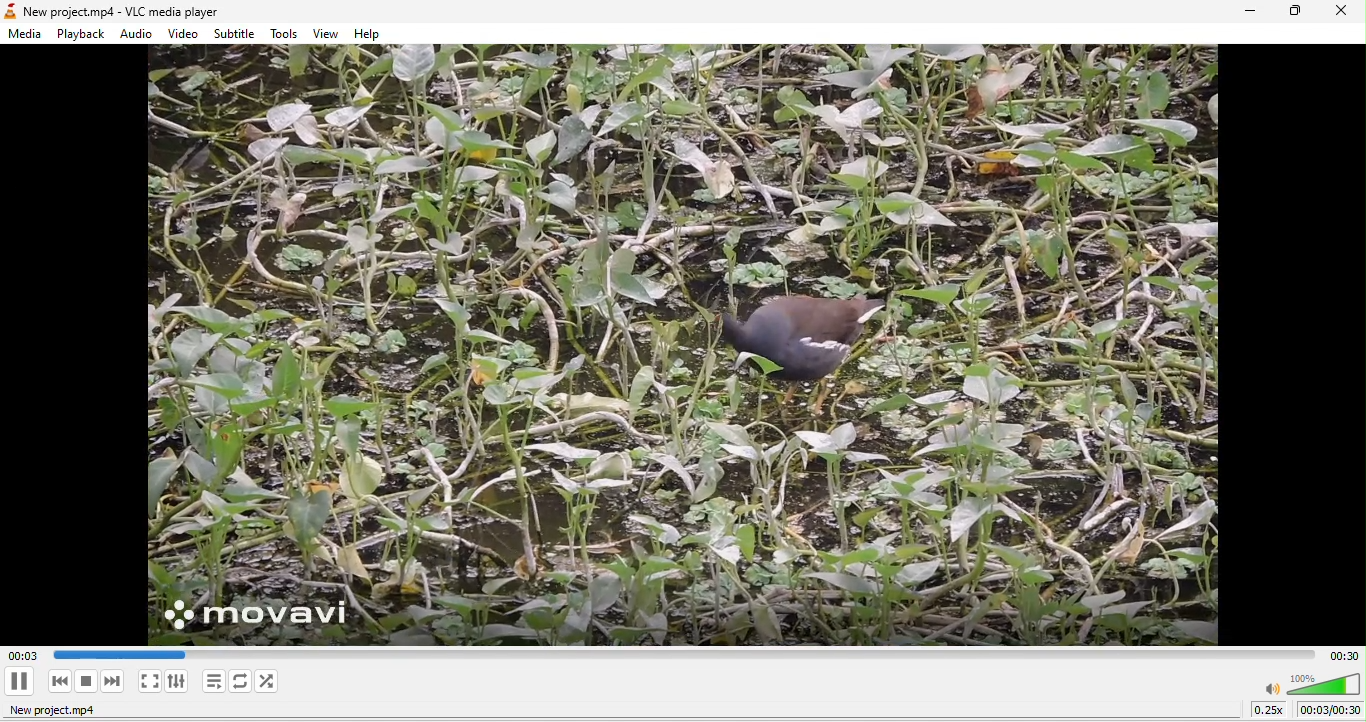  I want to click on New project.mp4 - VLC media player, so click(117, 10).